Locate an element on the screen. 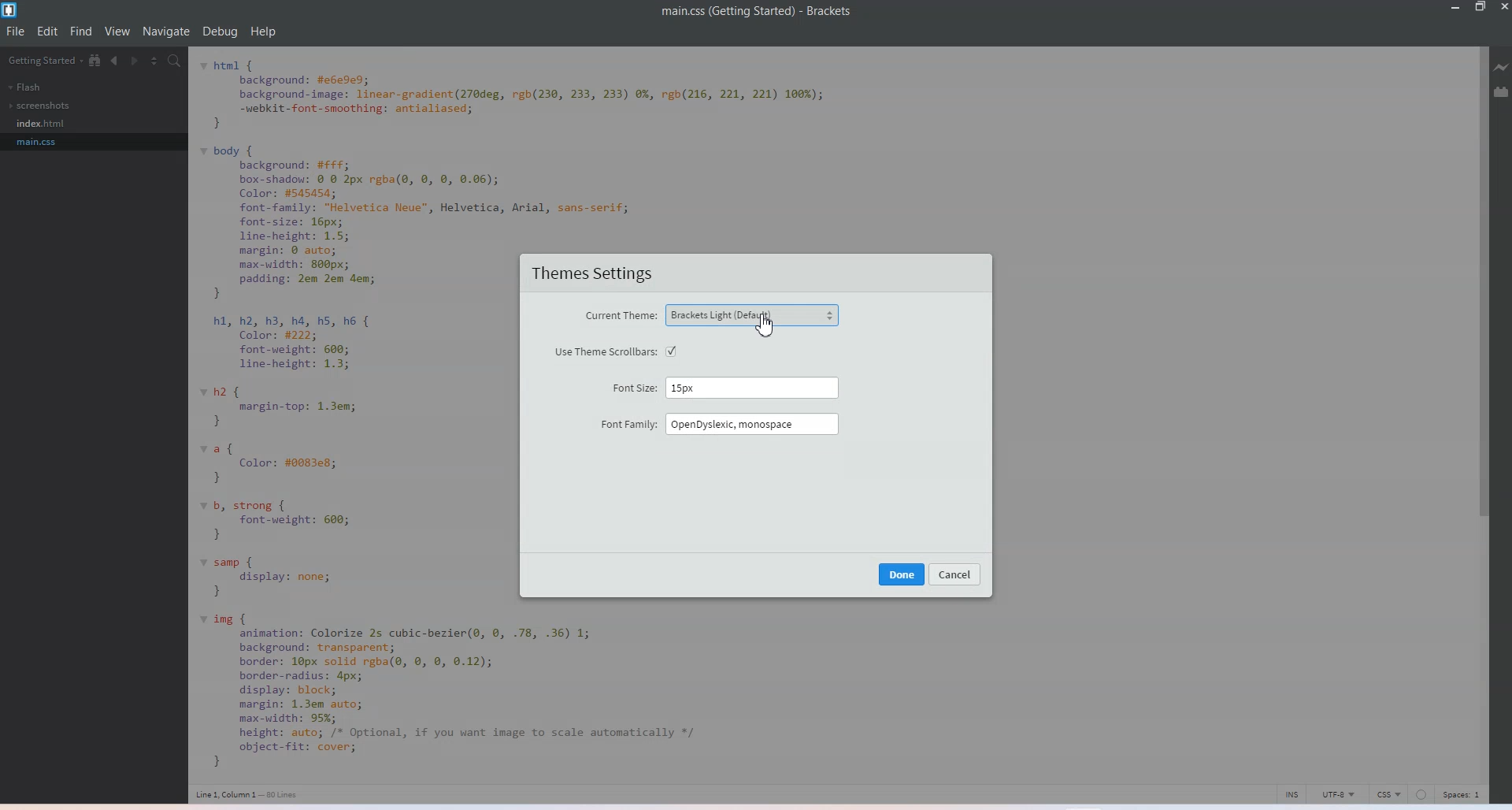 Image resolution: width=1512 pixels, height=810 pixels. Use Theme Scrollbar is located at coordinates (616, 351).